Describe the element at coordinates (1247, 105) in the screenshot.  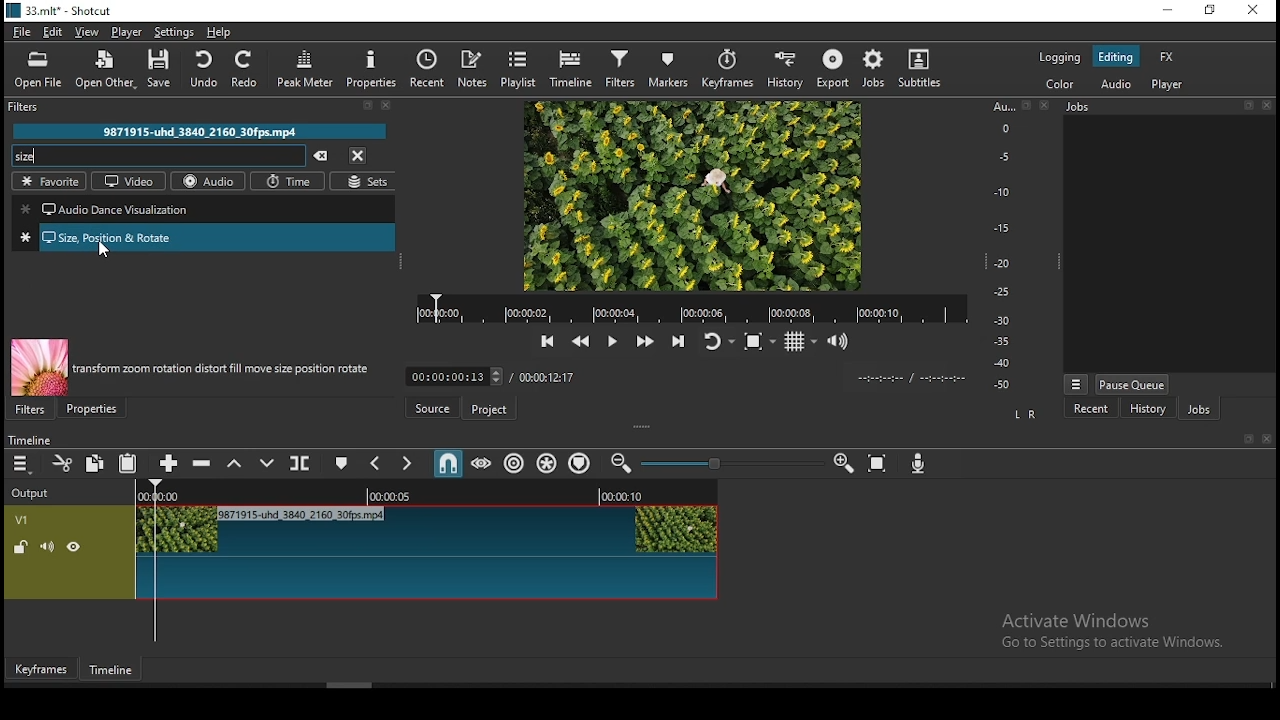
I see `resize` at that location.